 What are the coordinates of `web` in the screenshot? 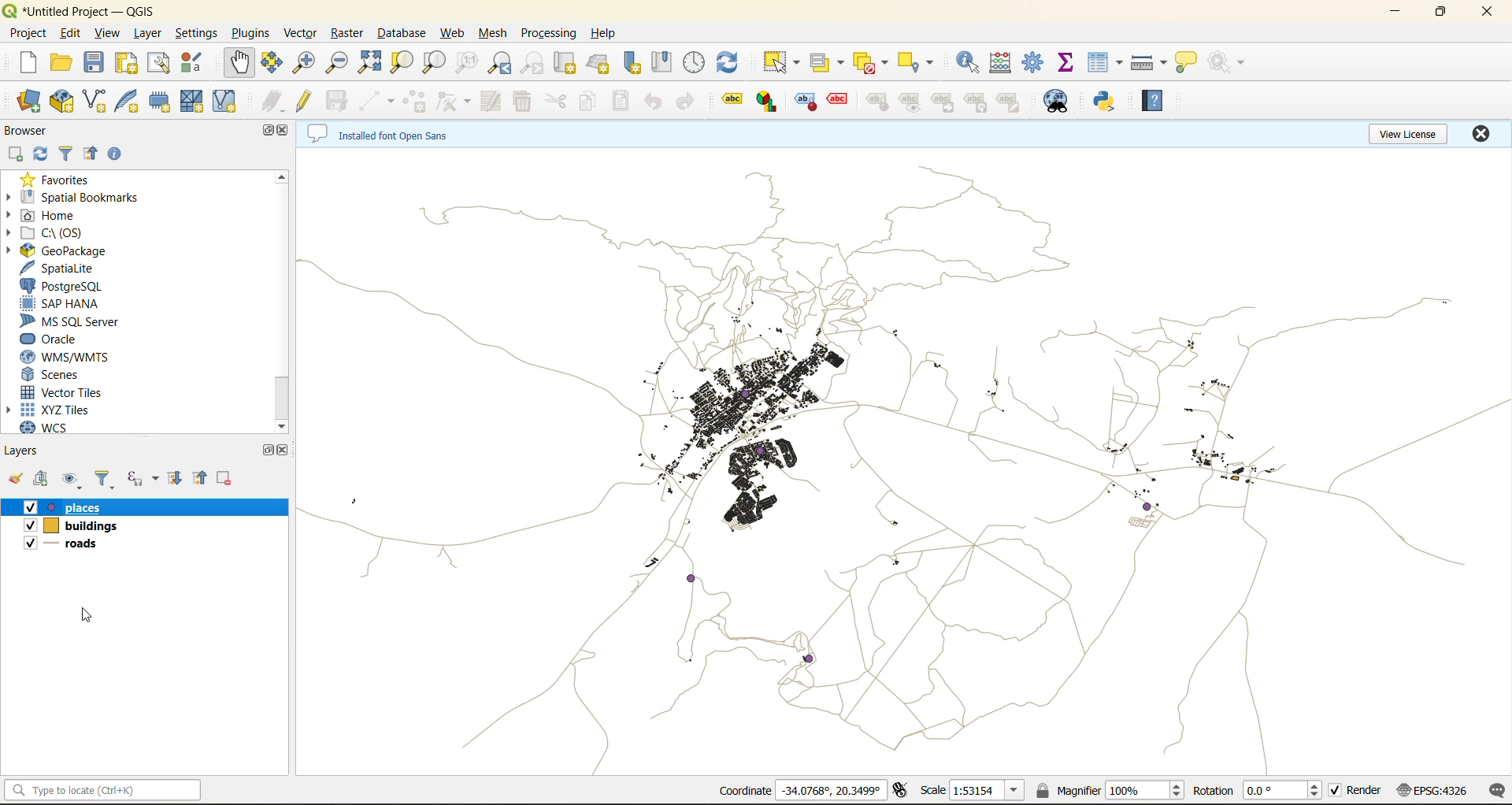 It's located at (453, 33).